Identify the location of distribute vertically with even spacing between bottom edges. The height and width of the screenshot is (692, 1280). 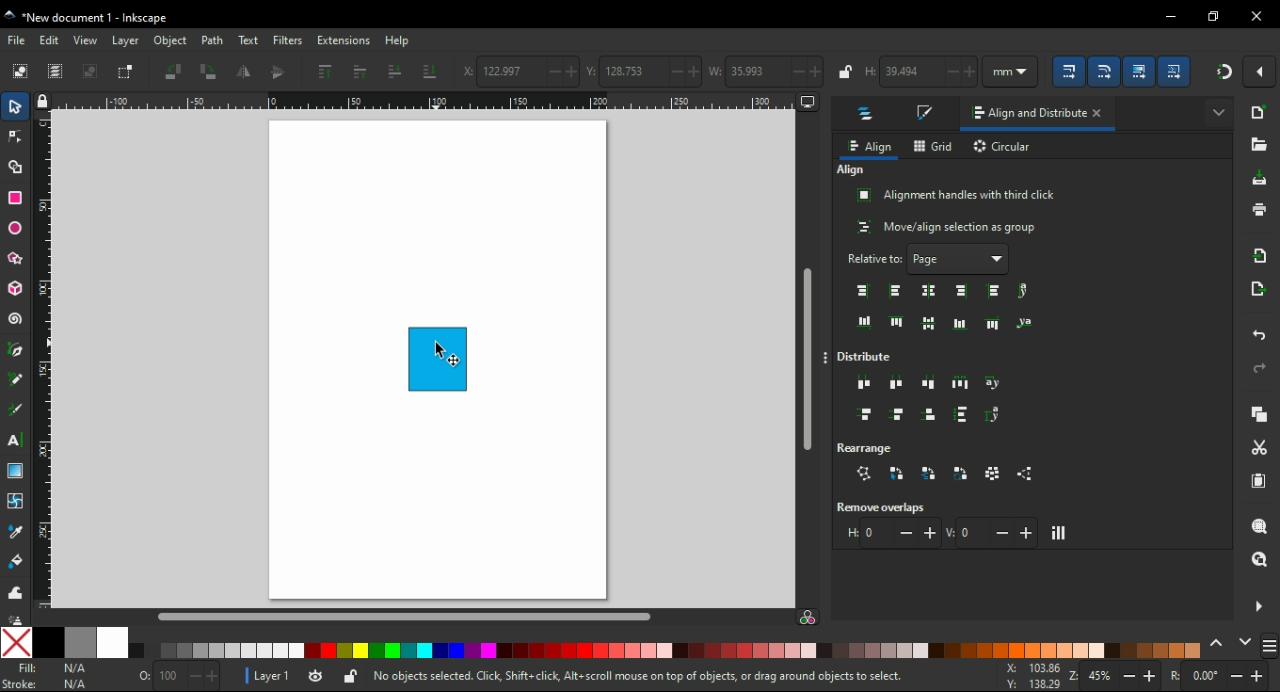
(928, 413).